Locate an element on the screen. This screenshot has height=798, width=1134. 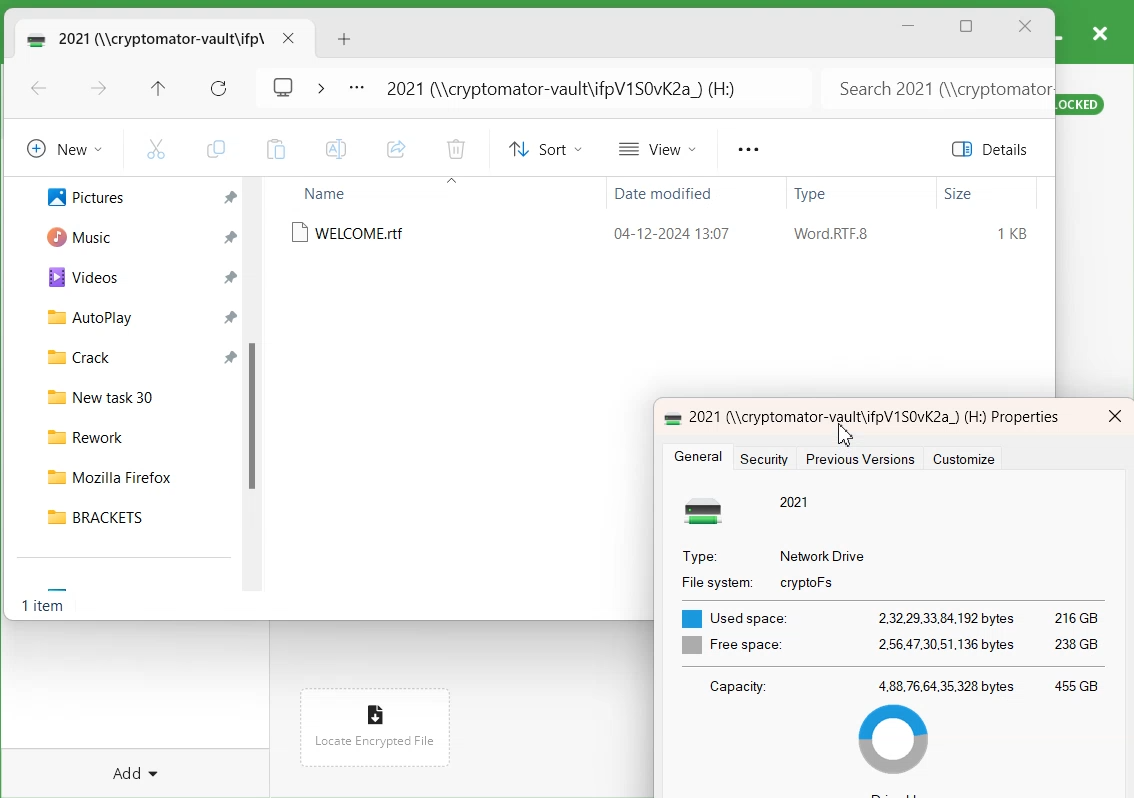
Vault Folder is located at coordinates (142, 38).